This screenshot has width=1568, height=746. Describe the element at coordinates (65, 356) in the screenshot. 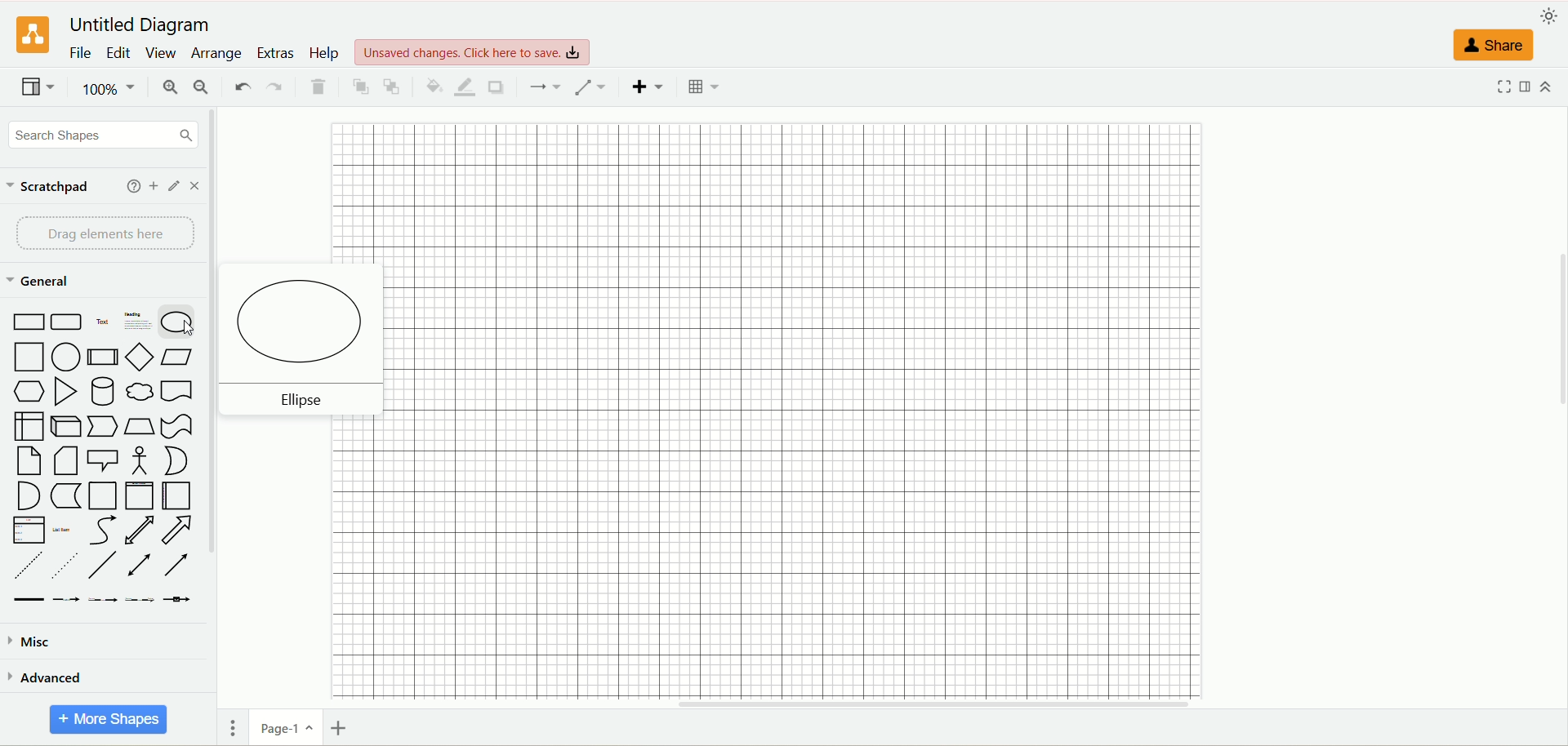

I see `circle` at that location.